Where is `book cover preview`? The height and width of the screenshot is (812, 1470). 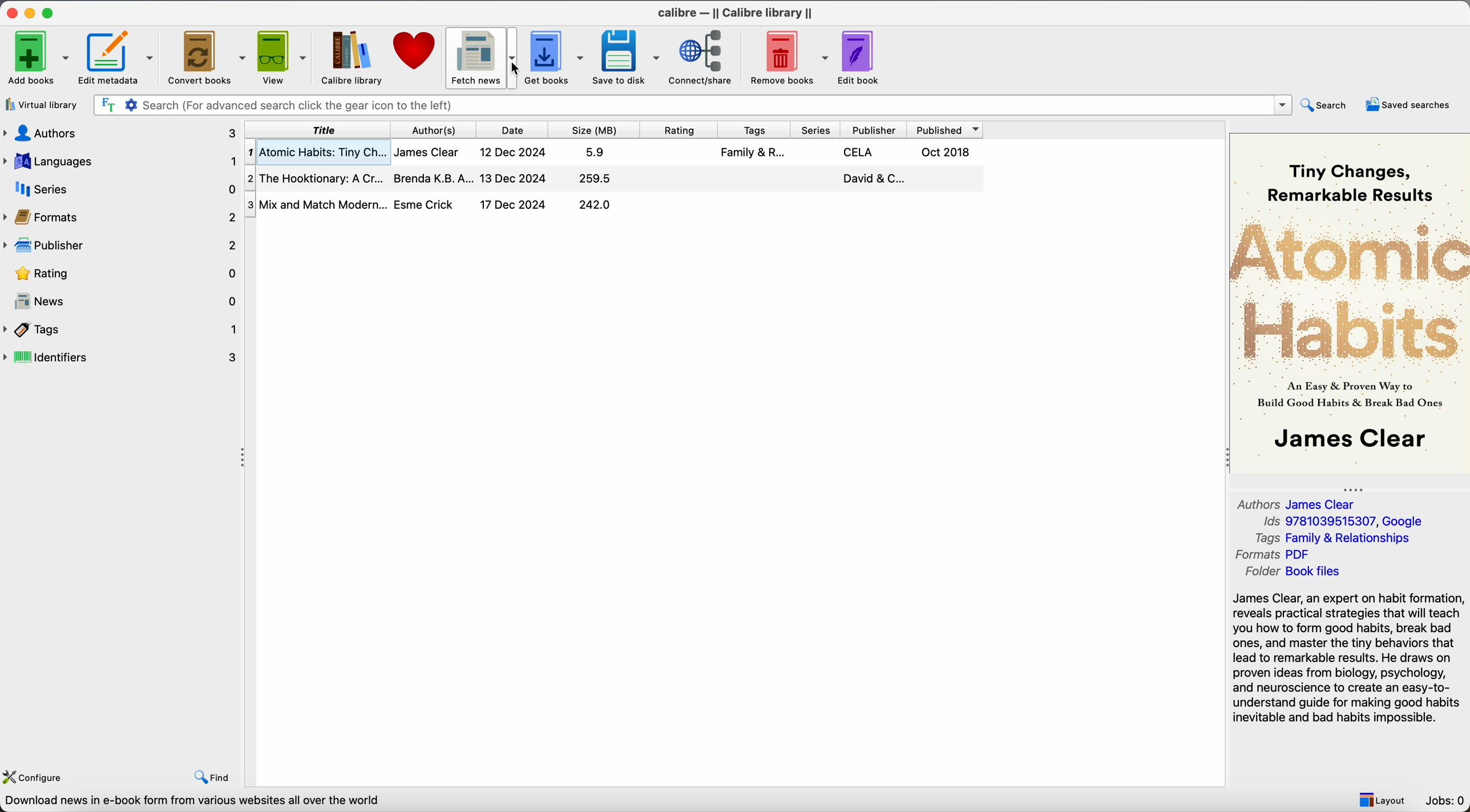 book cover preview is located at coordinates (1348, 302).